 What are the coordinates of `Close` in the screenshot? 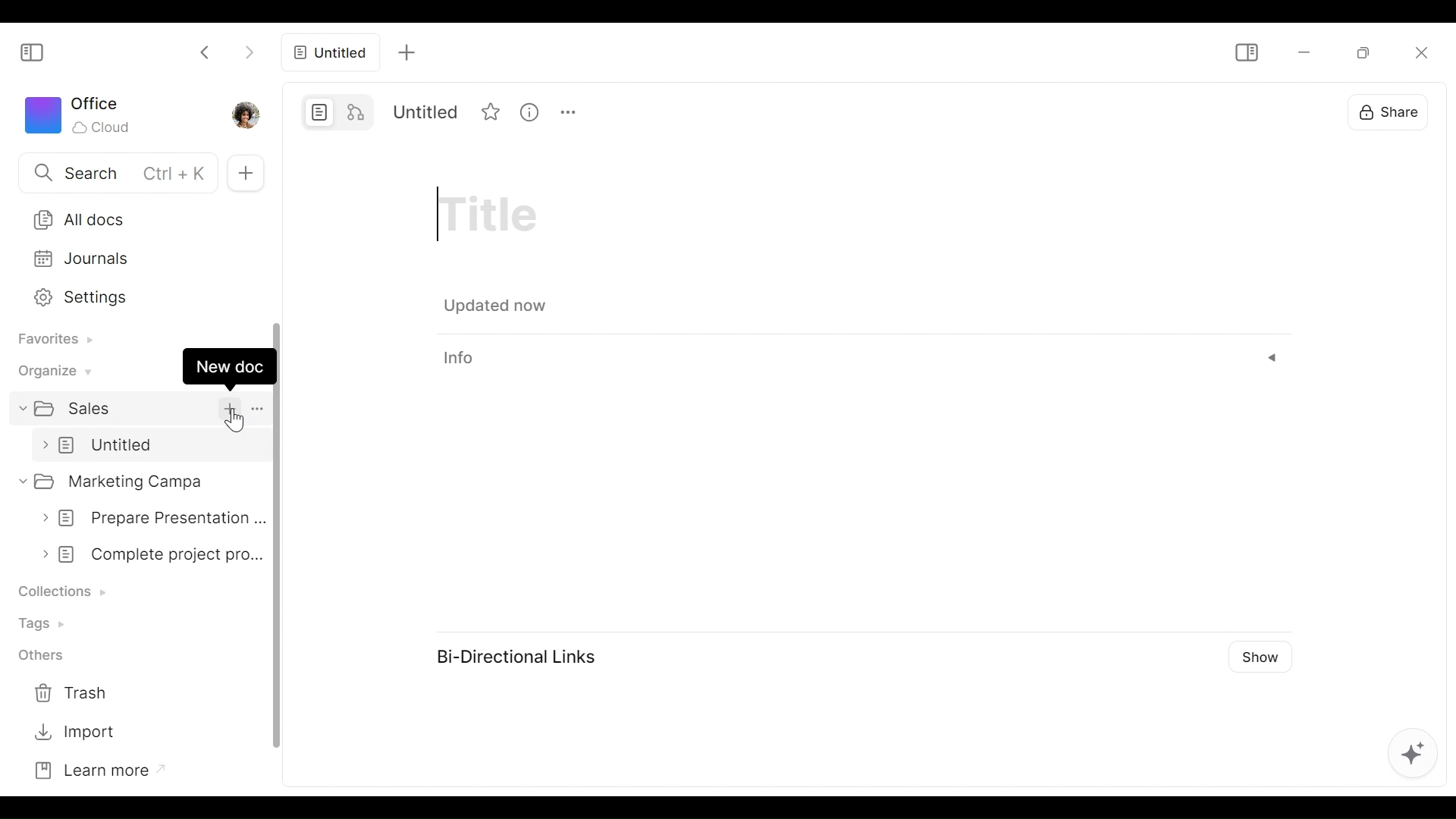 It's located at (1422, 55).